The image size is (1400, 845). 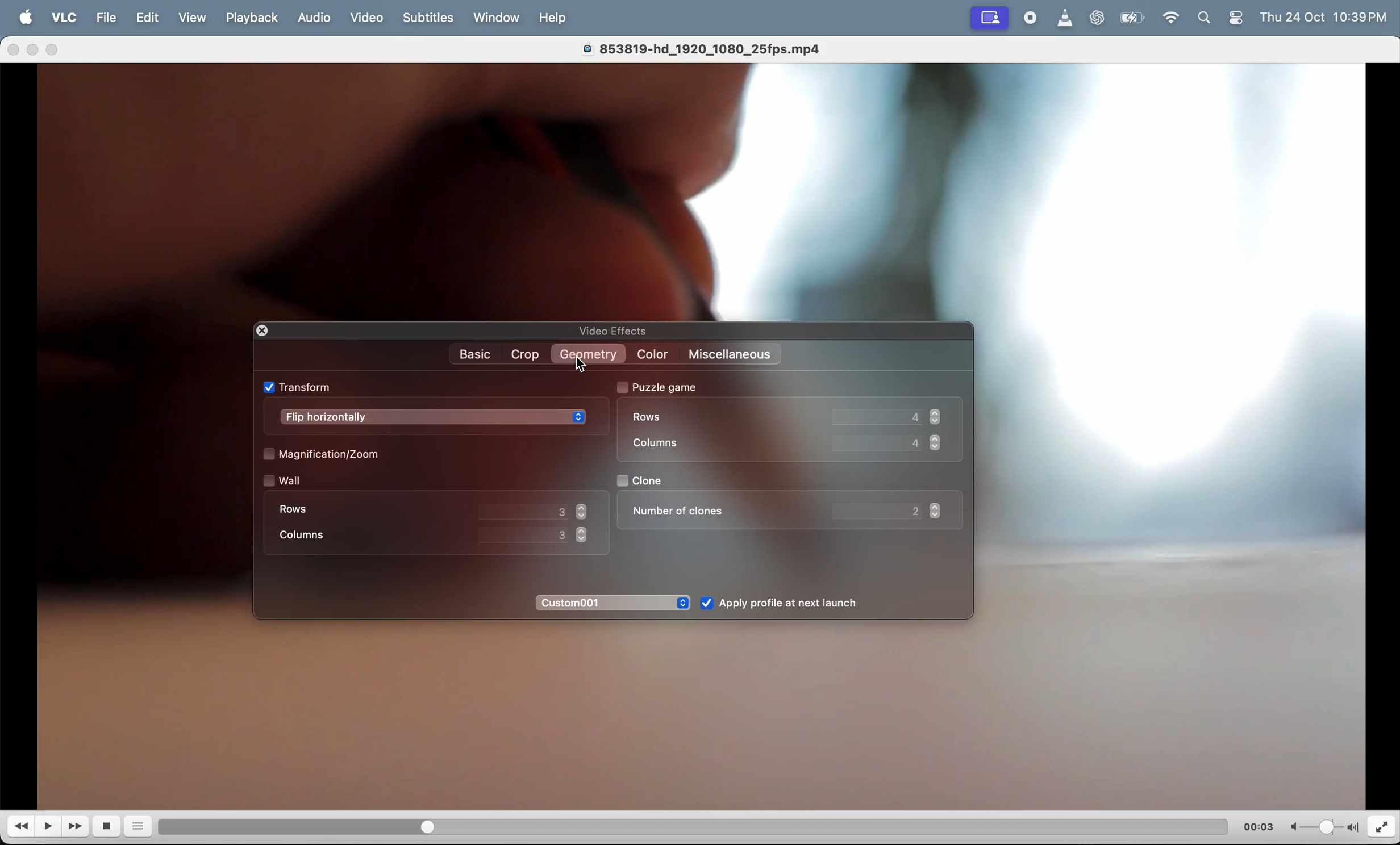 What do you see at coordinates (674, 388) in the screenshot?
I see `puzzle game` at bounding box center [674, 388].